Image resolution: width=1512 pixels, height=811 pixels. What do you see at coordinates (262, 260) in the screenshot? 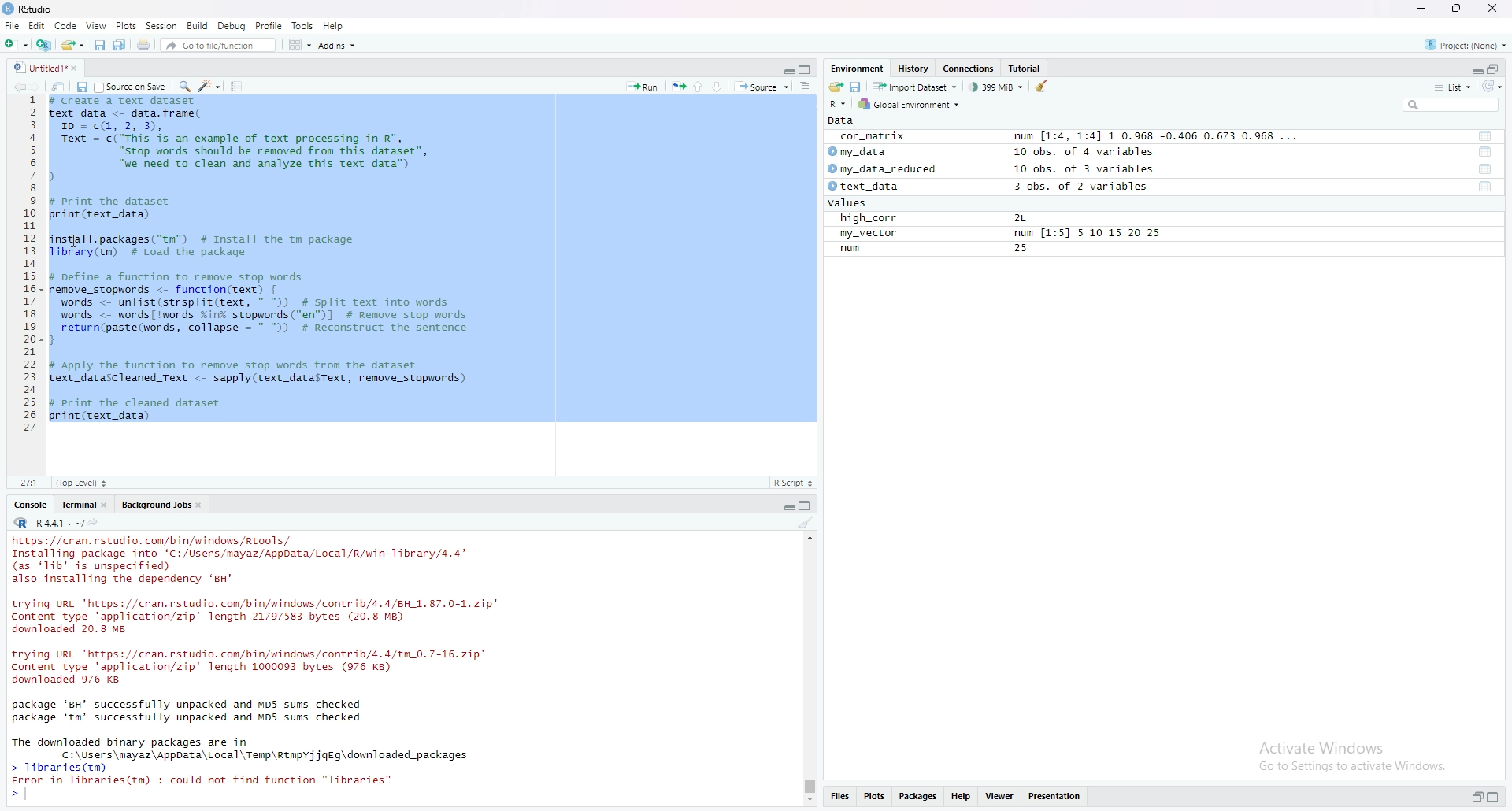
I see `data frame code` at bounding box center [262, 260].